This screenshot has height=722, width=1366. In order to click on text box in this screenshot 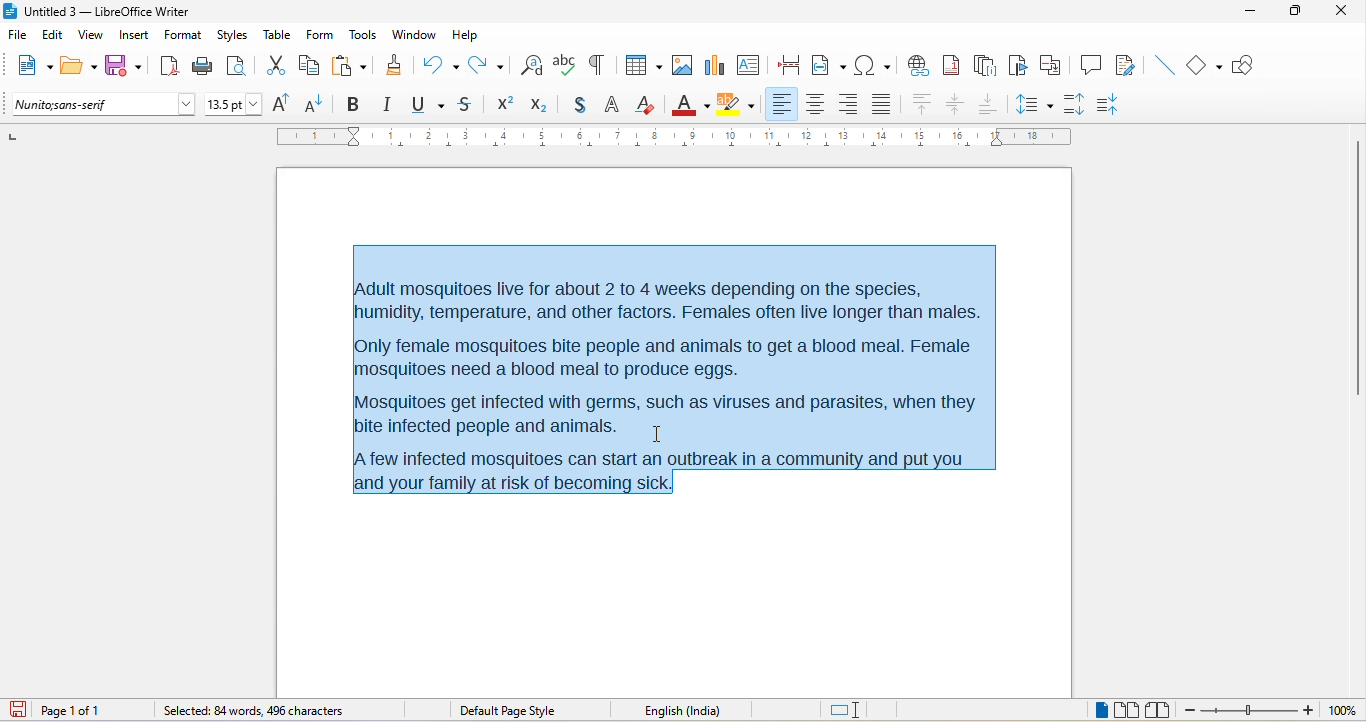, I will do `click(748, 64)`.